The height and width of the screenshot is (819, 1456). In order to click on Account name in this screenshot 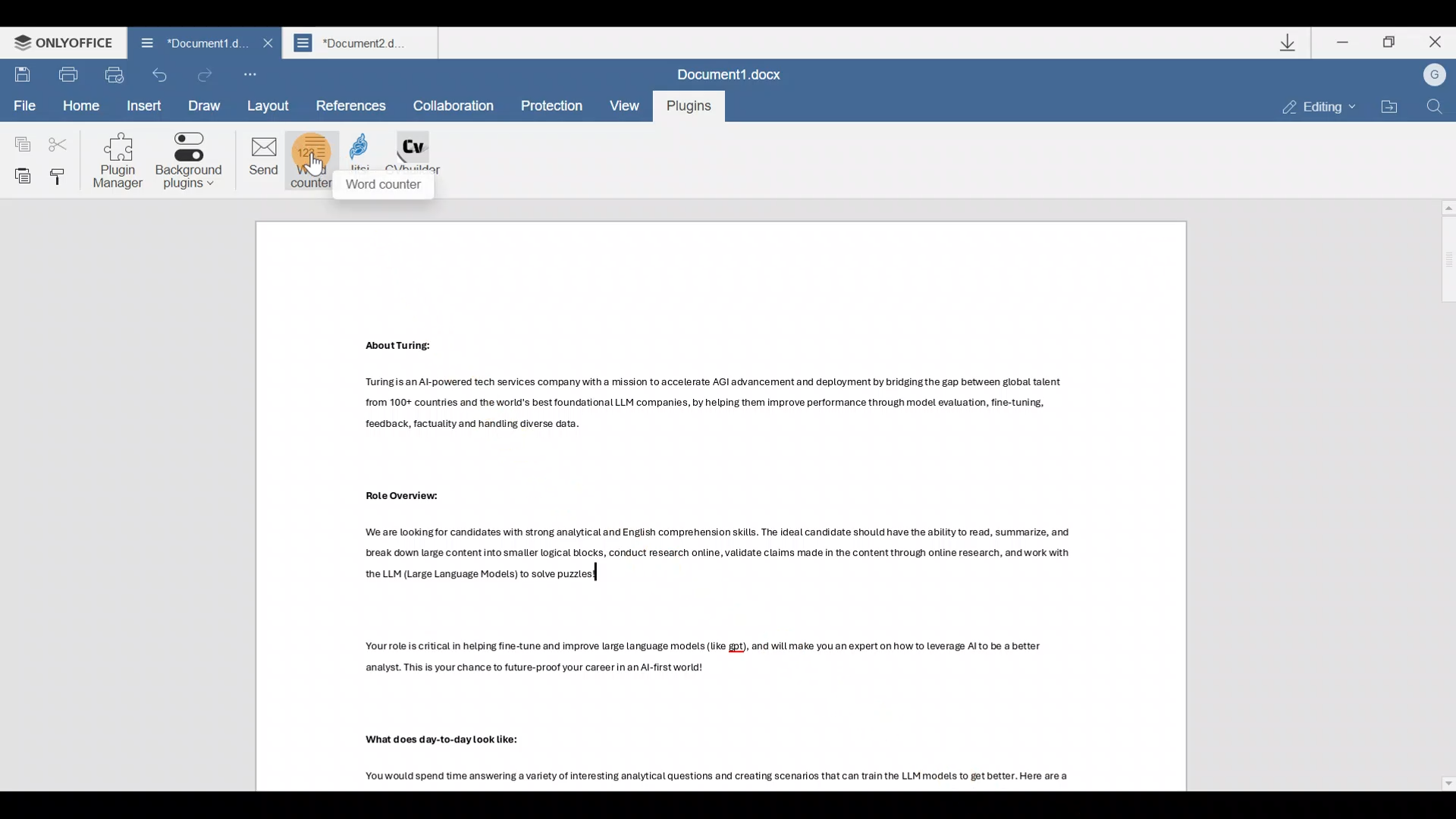, I will do `click(1434, 76)`.